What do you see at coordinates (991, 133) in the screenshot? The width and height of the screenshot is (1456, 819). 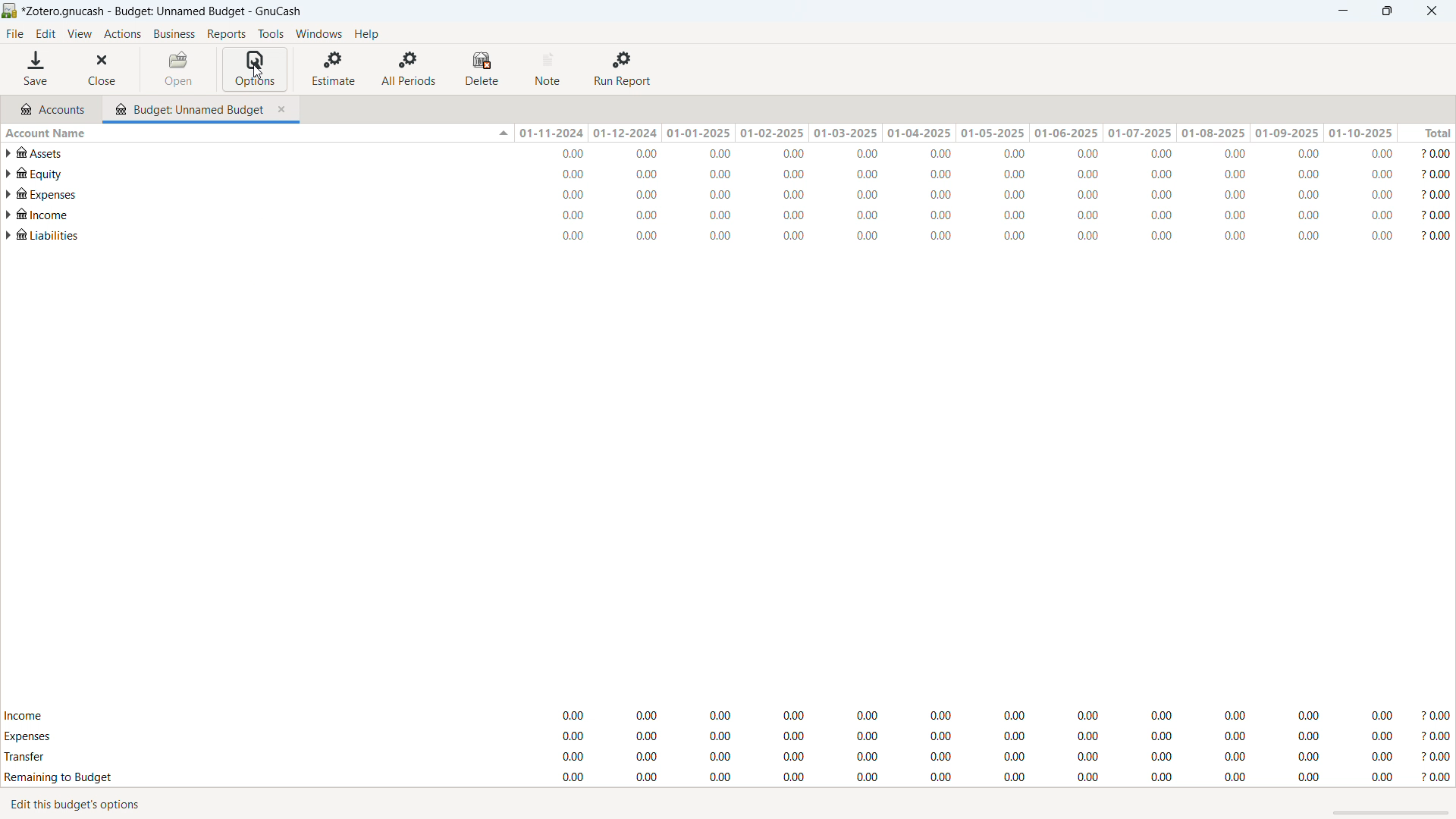 I see `01-05-2025` at bounding box center [991, 133].